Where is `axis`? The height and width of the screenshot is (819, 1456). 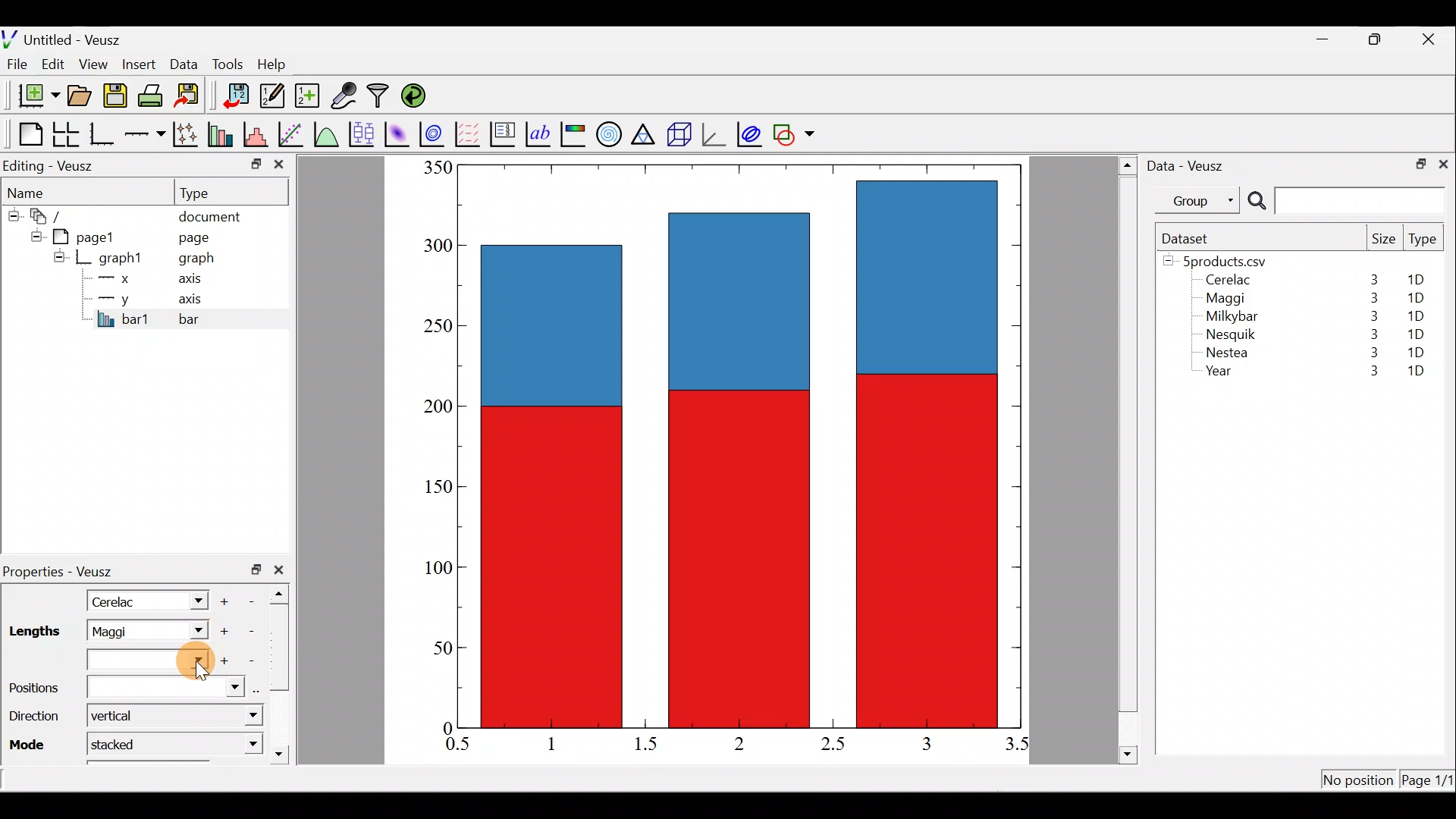 axis is located at coordinates (197, 300).